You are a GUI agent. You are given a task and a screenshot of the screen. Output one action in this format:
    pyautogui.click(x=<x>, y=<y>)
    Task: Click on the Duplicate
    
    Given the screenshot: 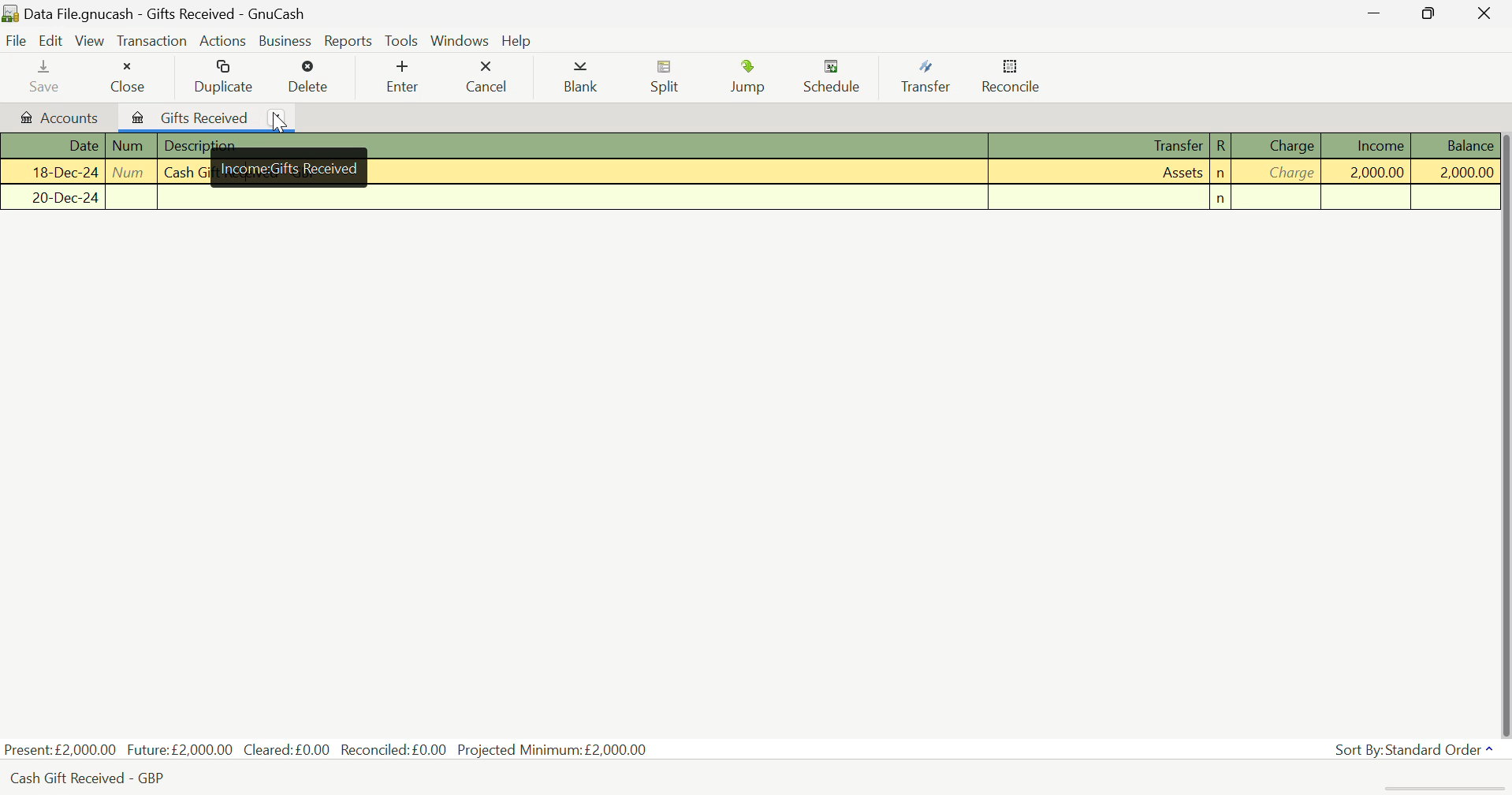 What is the action you would take?
    pyautogui.click(x=225, y=76)
    